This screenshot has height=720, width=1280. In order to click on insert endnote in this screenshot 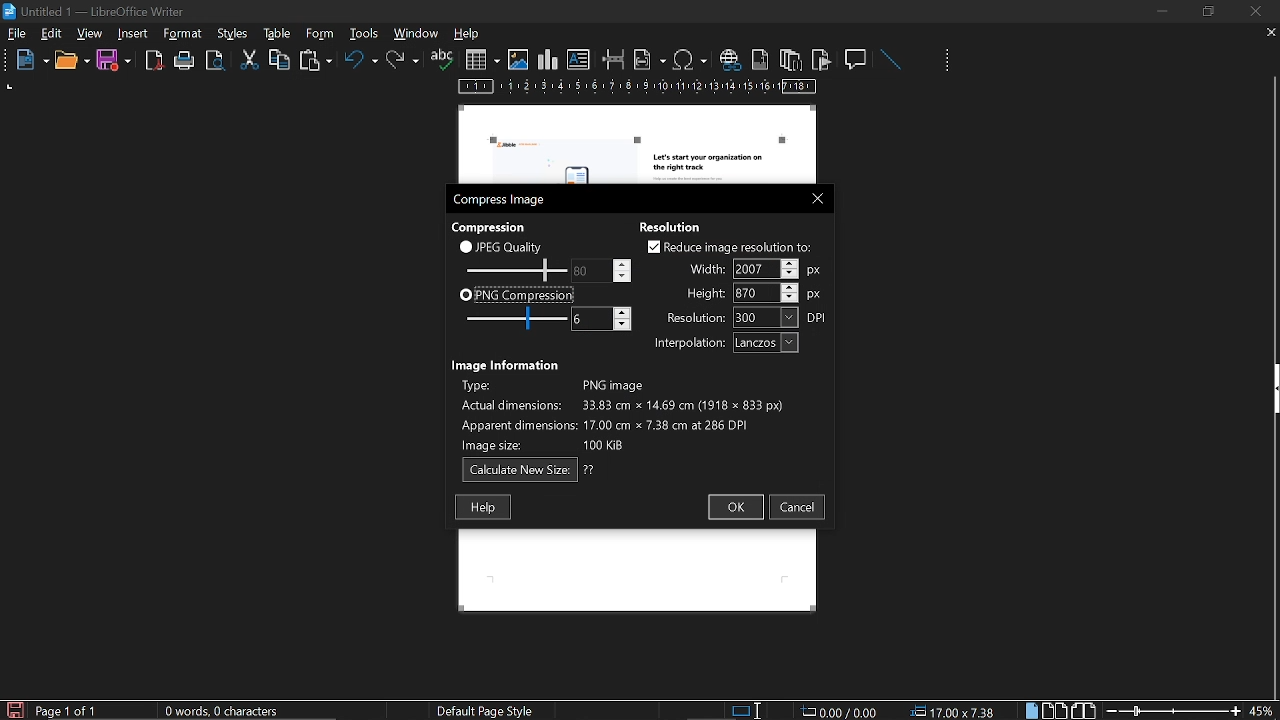, I will do `click(790, 59)`.